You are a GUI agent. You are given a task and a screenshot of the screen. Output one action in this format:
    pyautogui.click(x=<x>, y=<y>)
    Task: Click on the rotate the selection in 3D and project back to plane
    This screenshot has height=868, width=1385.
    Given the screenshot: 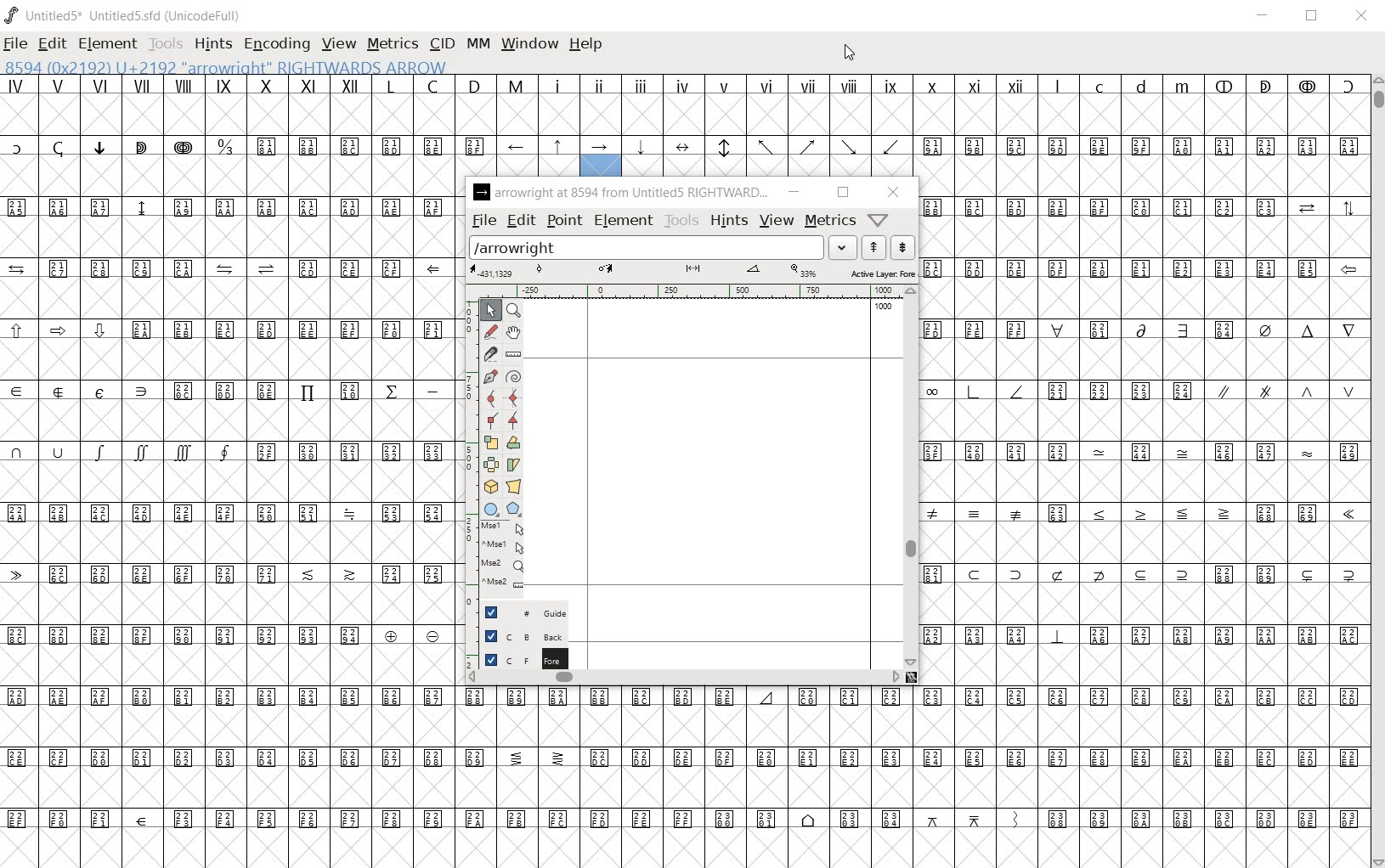 What is the action you would take?
    pyautogui.click(x=489, y=487)
    